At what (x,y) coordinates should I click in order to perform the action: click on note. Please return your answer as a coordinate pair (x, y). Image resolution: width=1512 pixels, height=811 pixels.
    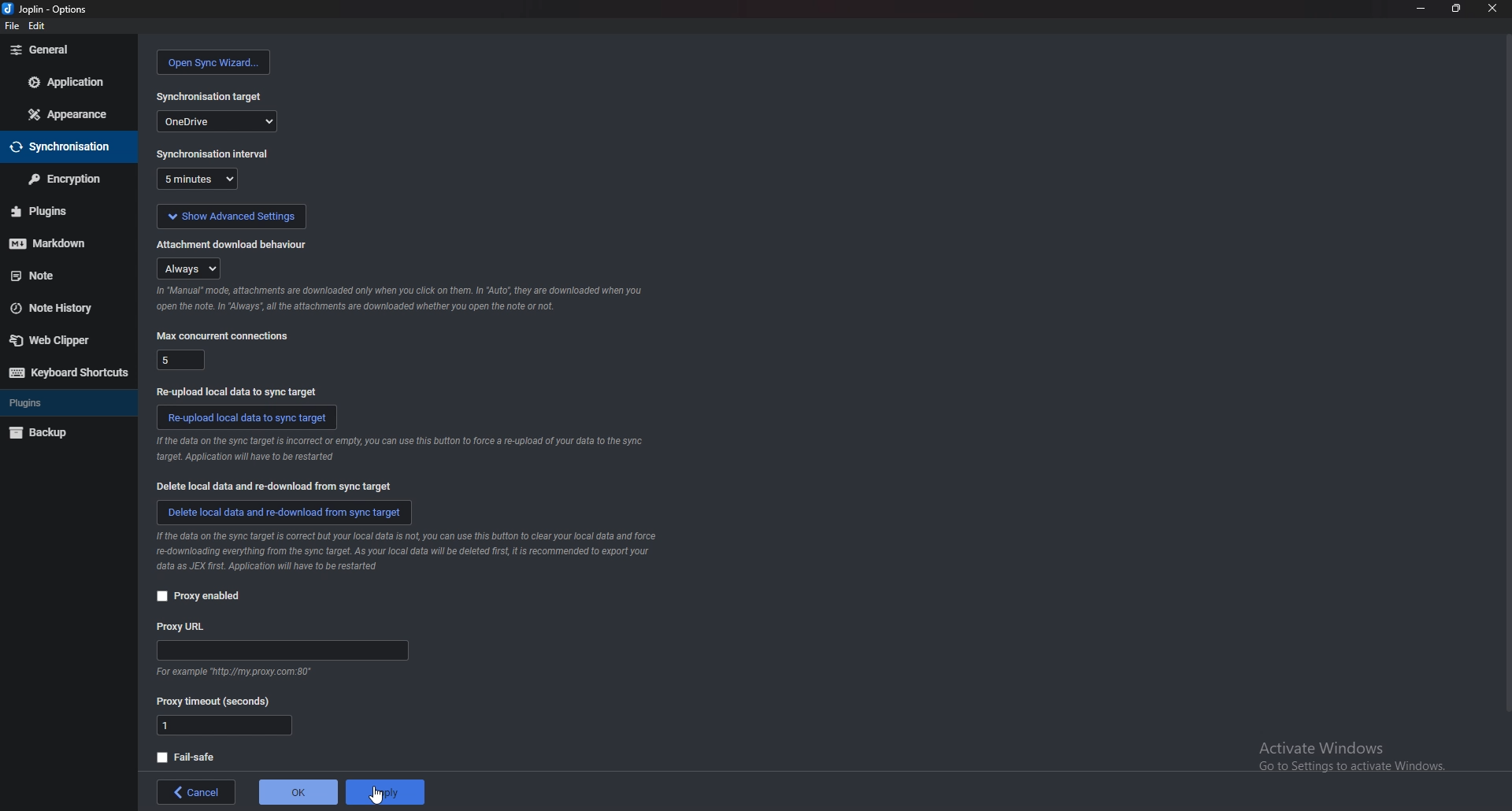
    Looking at the image, I should click on (61, 276).